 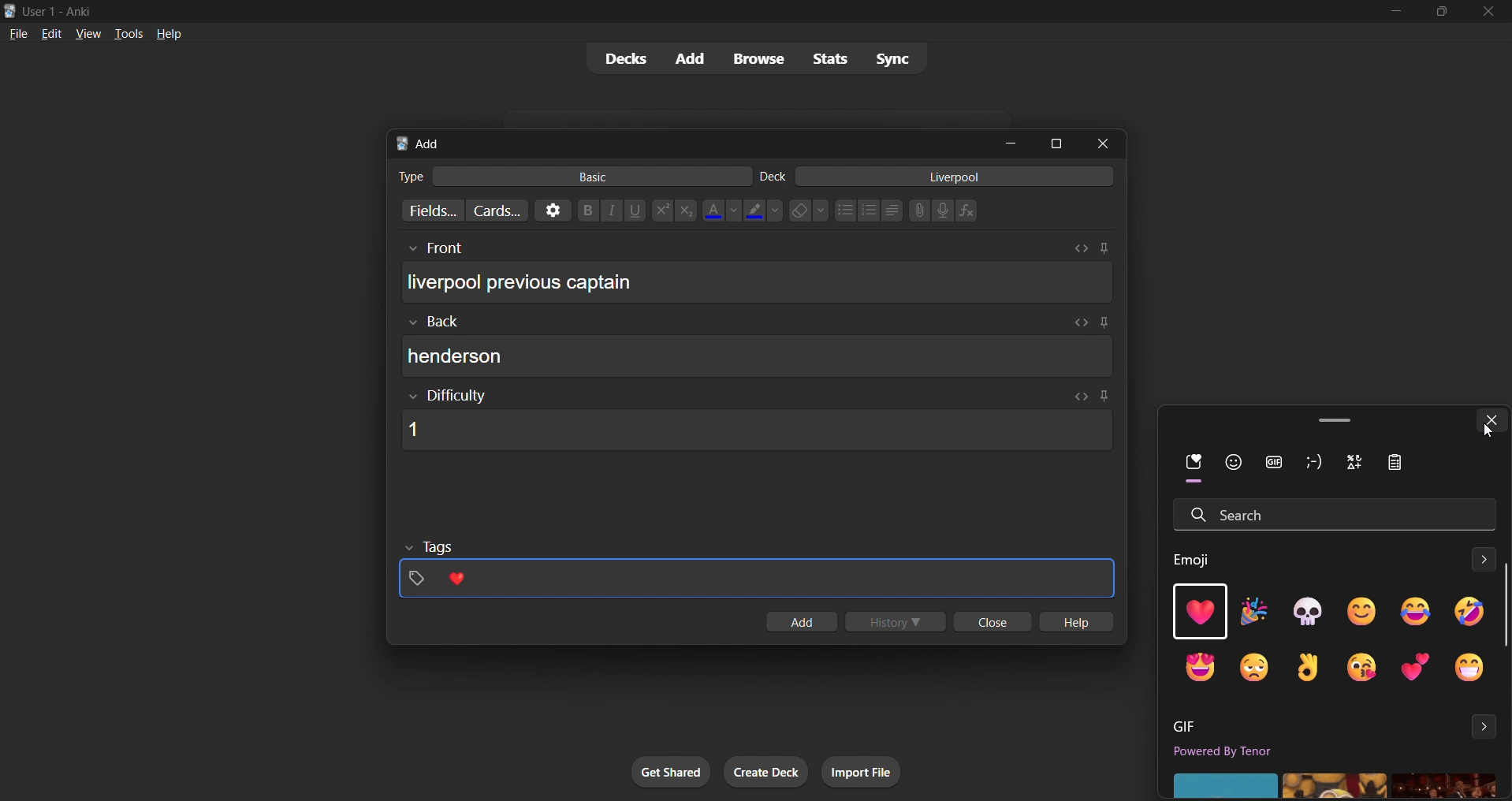 I want to click on close, so click(x=1108, y=143).